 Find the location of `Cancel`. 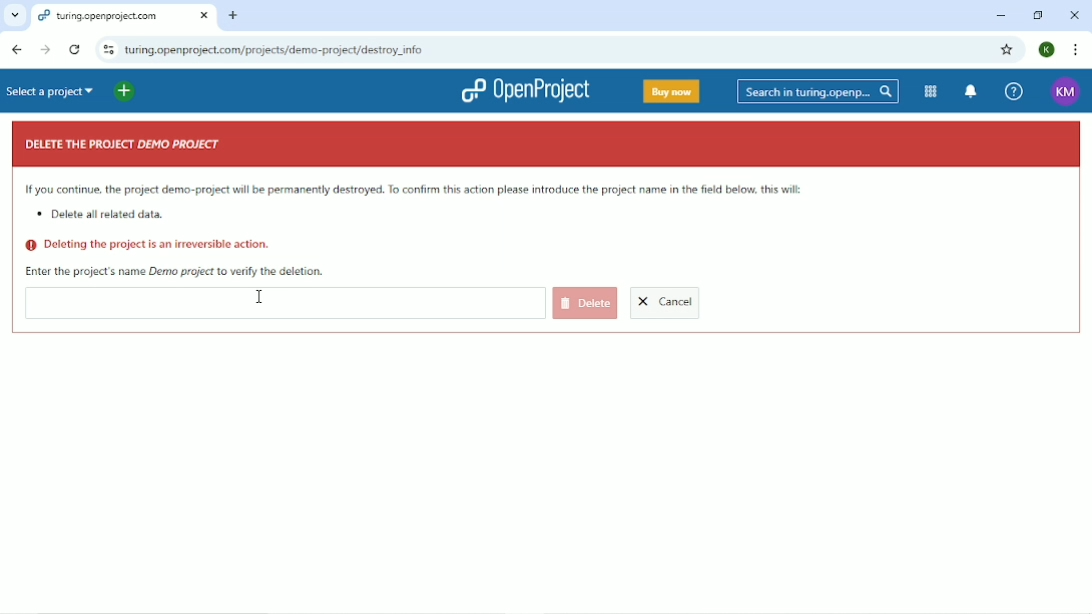

Cancel is located at coordinates (666, 304).